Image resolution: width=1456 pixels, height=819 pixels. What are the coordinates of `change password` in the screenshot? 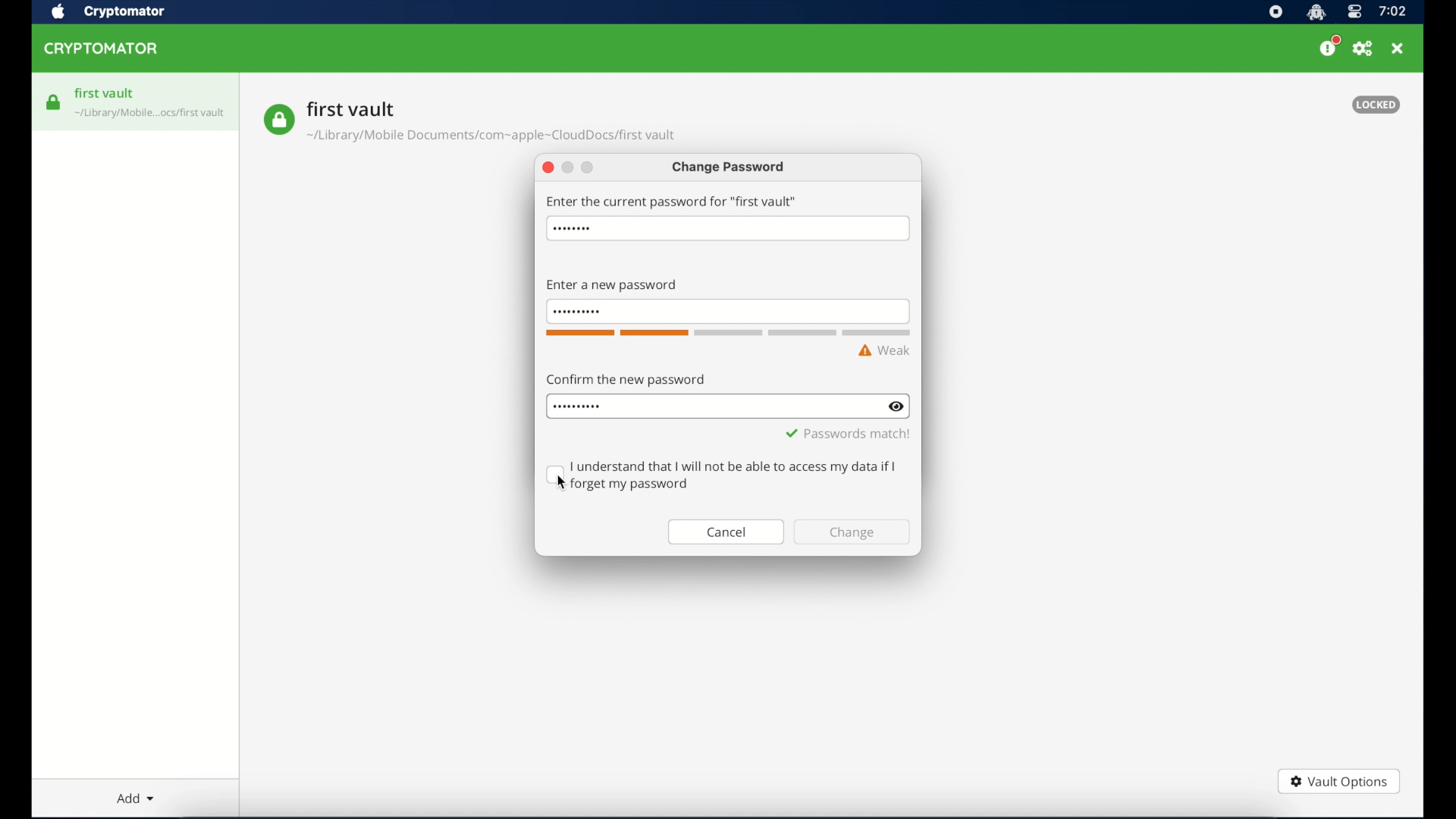 It's located at (730, 168).